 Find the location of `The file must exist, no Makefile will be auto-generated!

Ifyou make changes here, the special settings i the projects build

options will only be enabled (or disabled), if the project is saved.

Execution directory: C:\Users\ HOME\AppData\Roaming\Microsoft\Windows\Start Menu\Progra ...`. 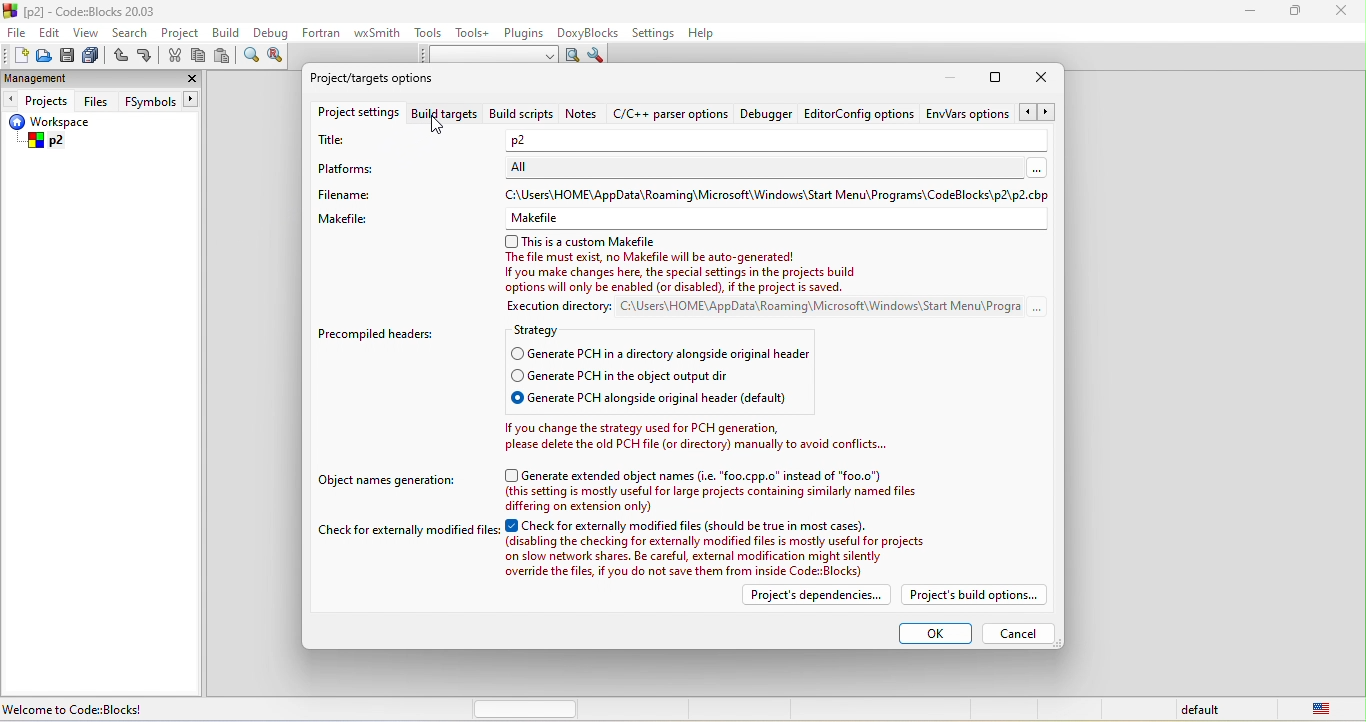

The file must exist, no Makefile will be auto-generated!

Ifyou make changes here, the special settings i the projects build

options will only be enabled (or disabled), if the project is saved.

Execution directory: C:\Users\ HOME\AppData\Roaming\Microsoft\Windows\Start Menu\Progra ... is located at coordinates (774, 284).